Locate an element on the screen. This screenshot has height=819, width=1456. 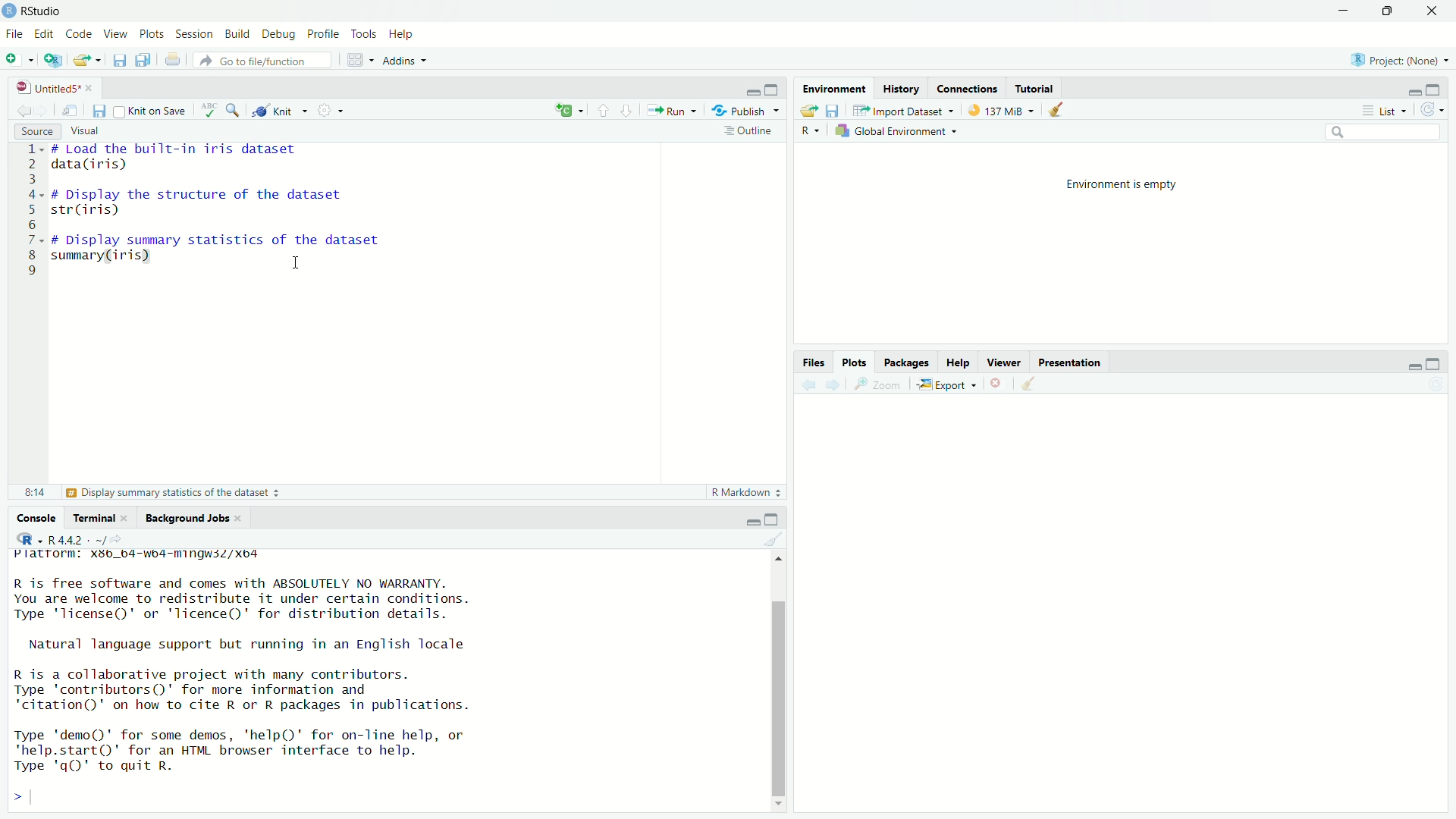
Terminal is located at coordinates (103, 518).